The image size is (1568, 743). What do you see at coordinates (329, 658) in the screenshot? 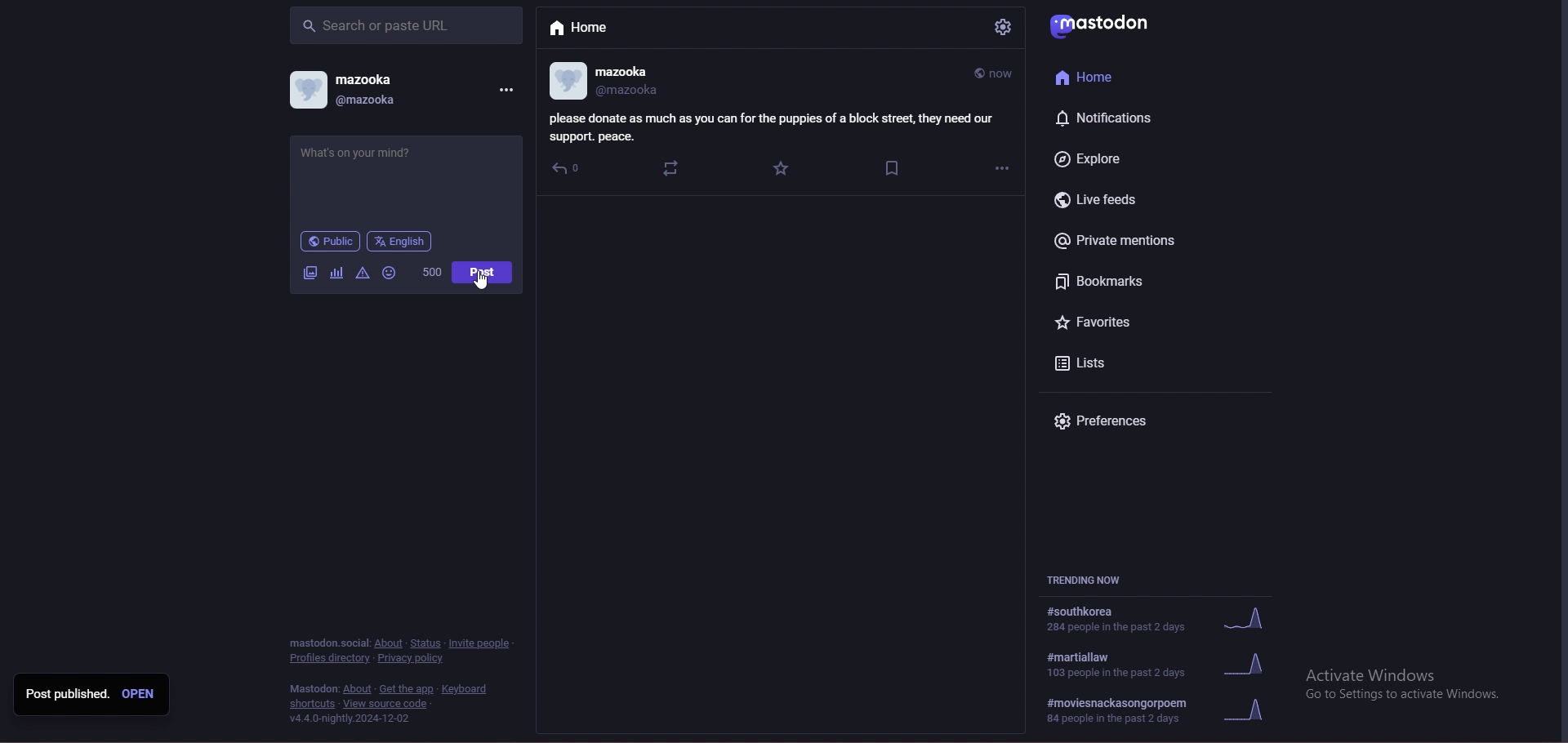
I see `profiles directory` at bounding box center [329, 658].